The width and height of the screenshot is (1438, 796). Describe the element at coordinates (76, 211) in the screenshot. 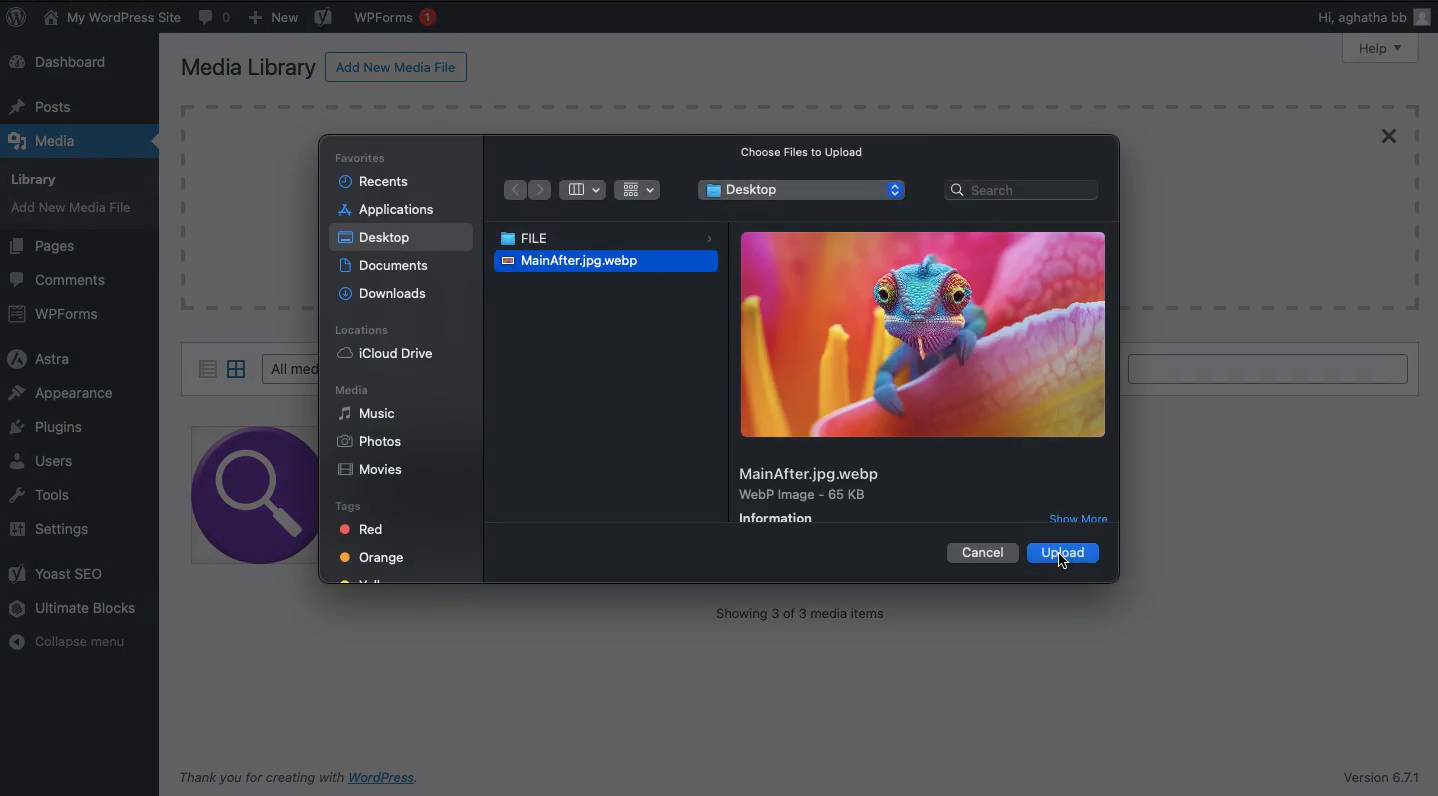

I see `Add new media` at that location.